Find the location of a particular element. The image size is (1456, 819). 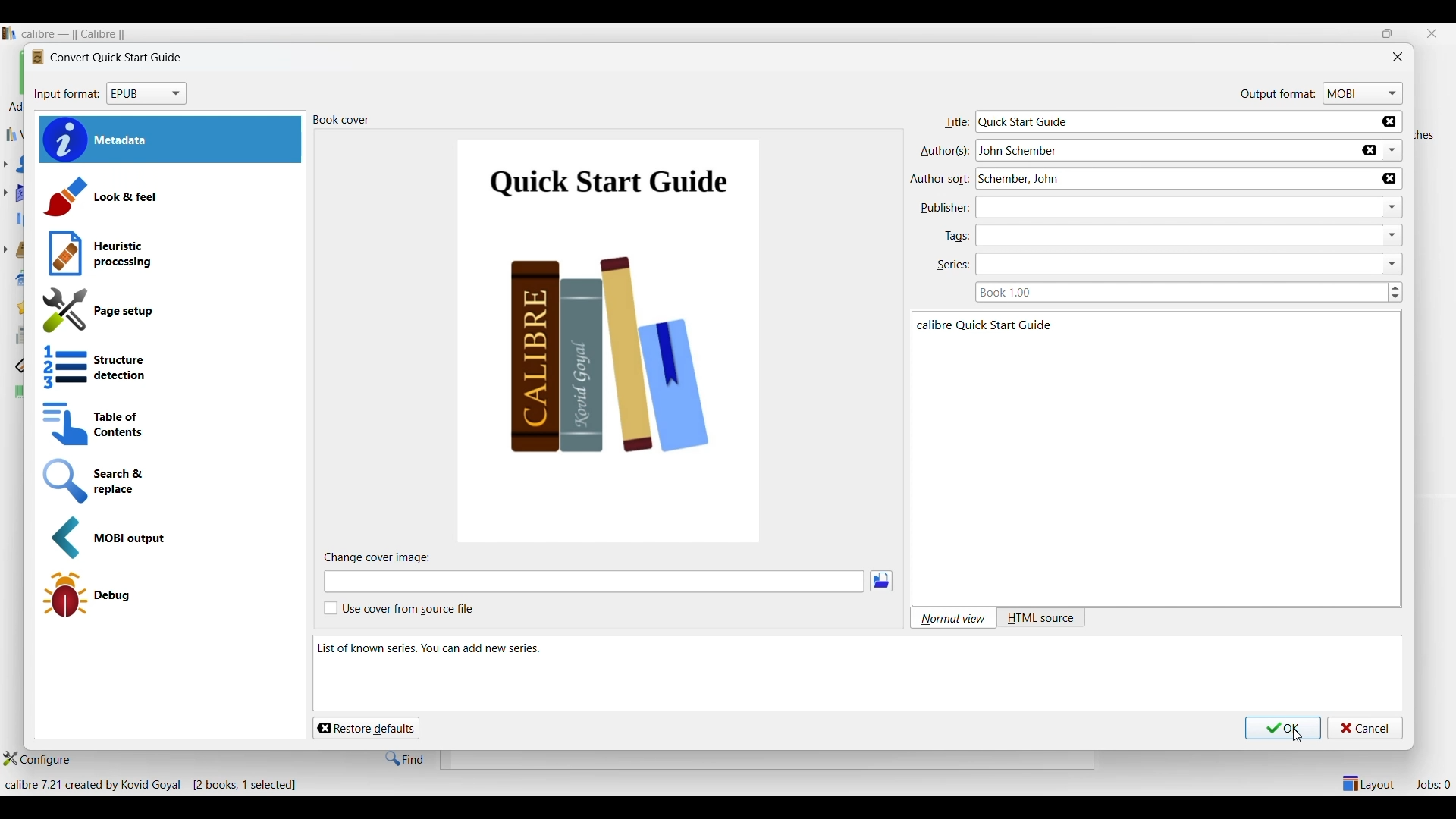

Details of selected book is located at coordinates (1112, 387).